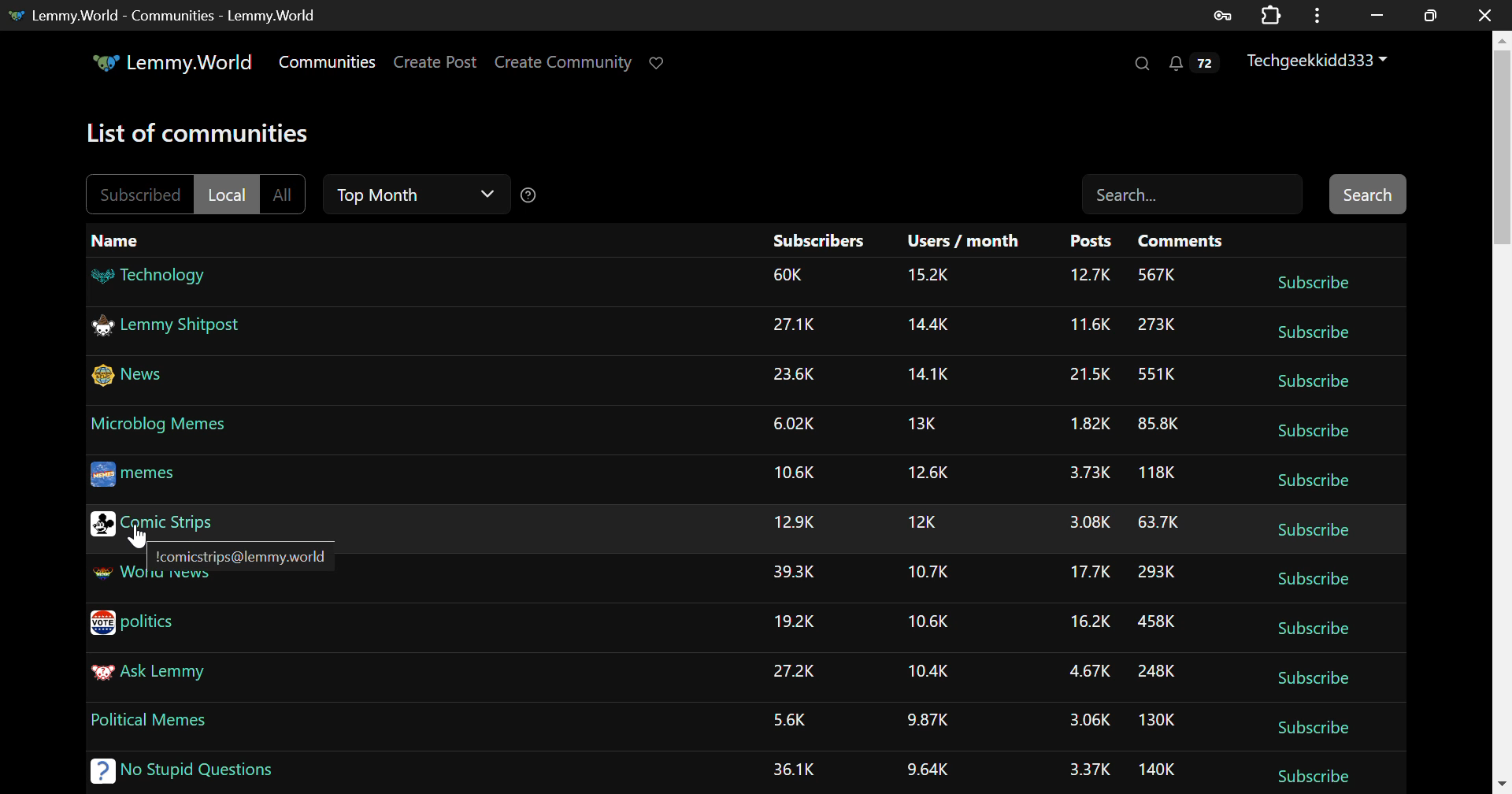 The image size is (1512, 794). Describe the element at coordinates (1161, 521) in the screenshot. I see `Amount` at that location.